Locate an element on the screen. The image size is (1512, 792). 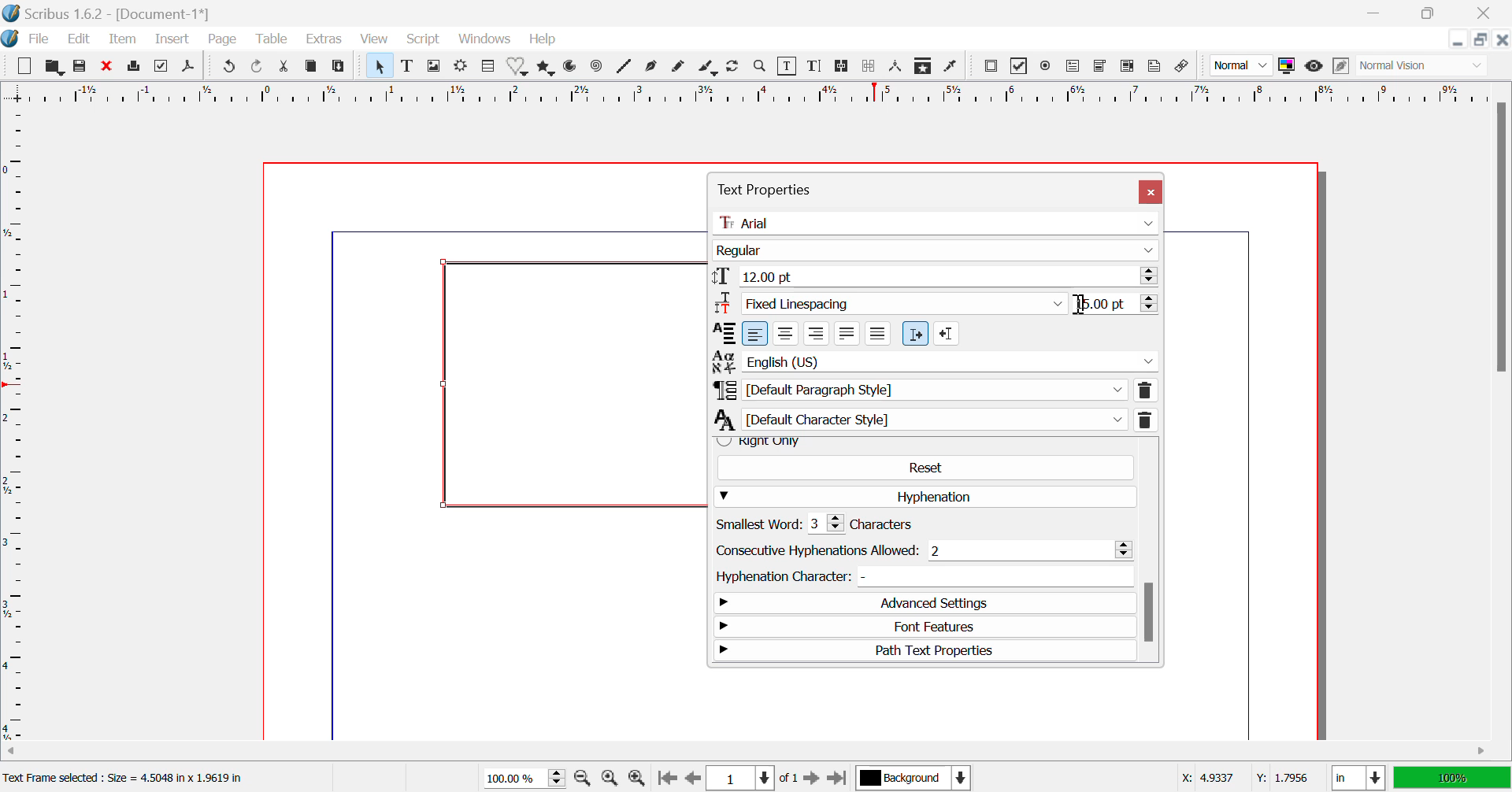
Close is located at coordinates (1484, 13).